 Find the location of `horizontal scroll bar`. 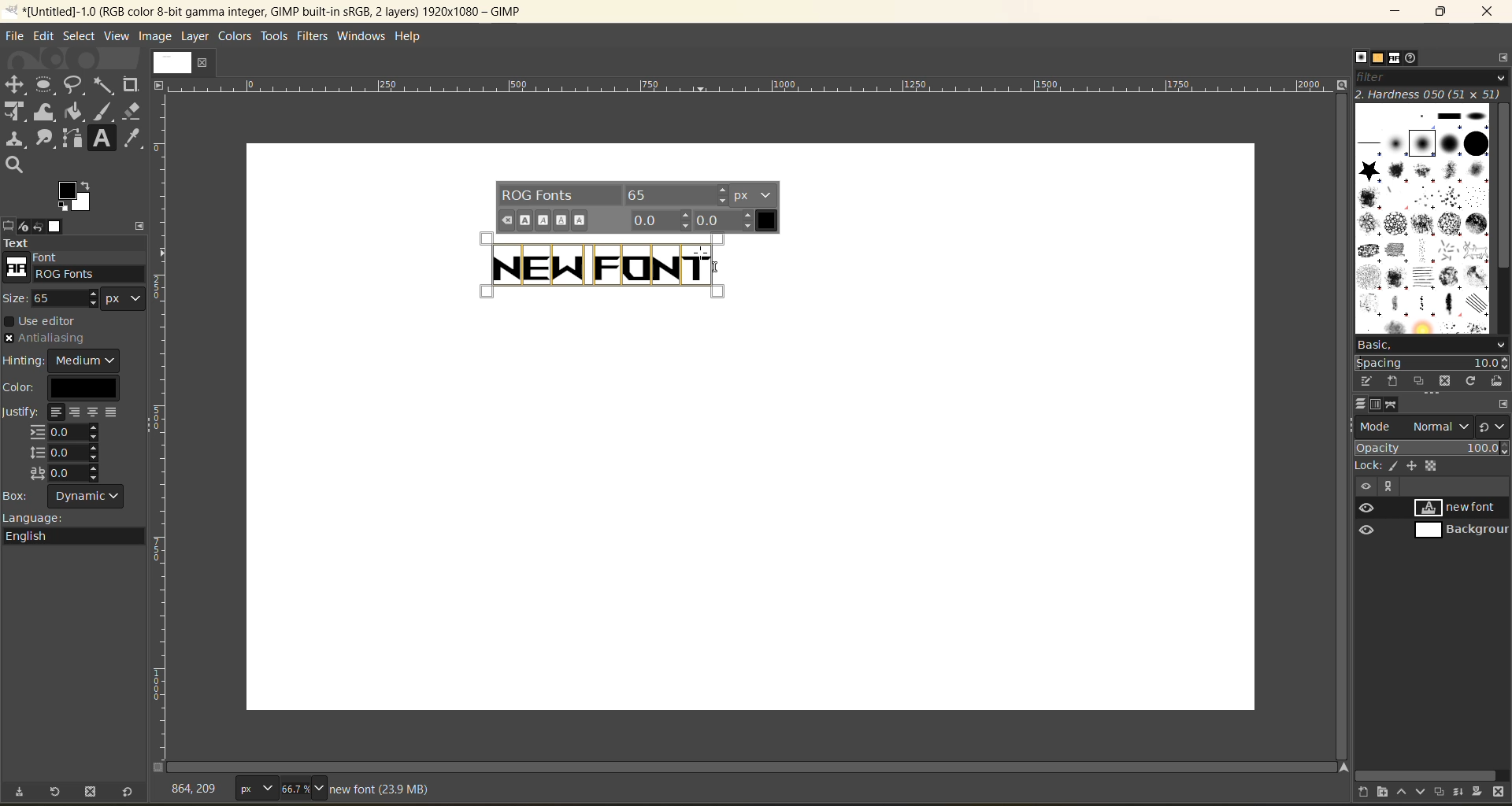

horizontal scroll bar is located at coordinates (1427, 775).